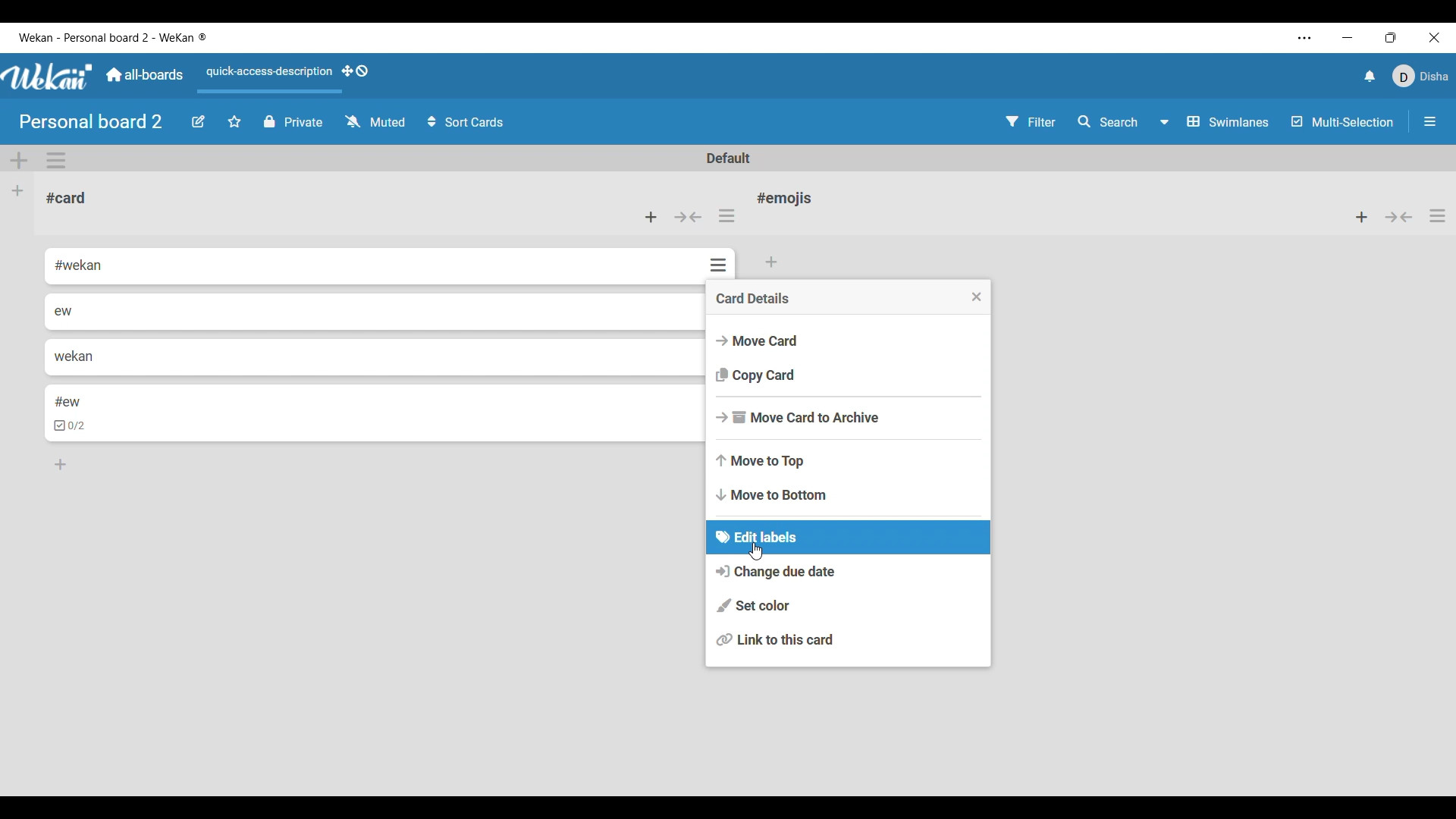 The image size is (1456, 819). I want to click on List actions, so click(1437, 216).